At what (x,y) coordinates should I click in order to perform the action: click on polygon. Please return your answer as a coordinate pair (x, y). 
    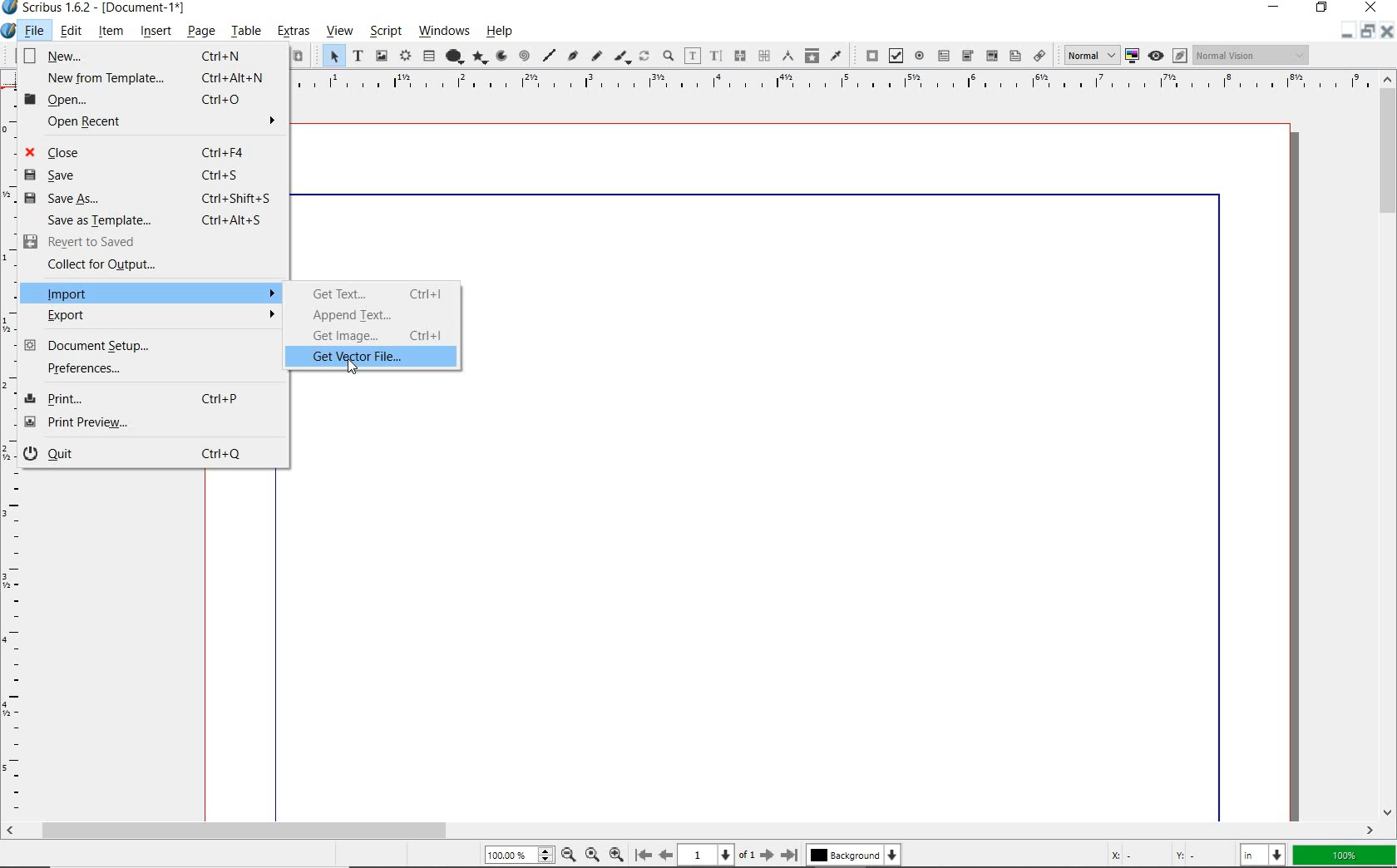
    Looking at the image, I should click on (481, 57).